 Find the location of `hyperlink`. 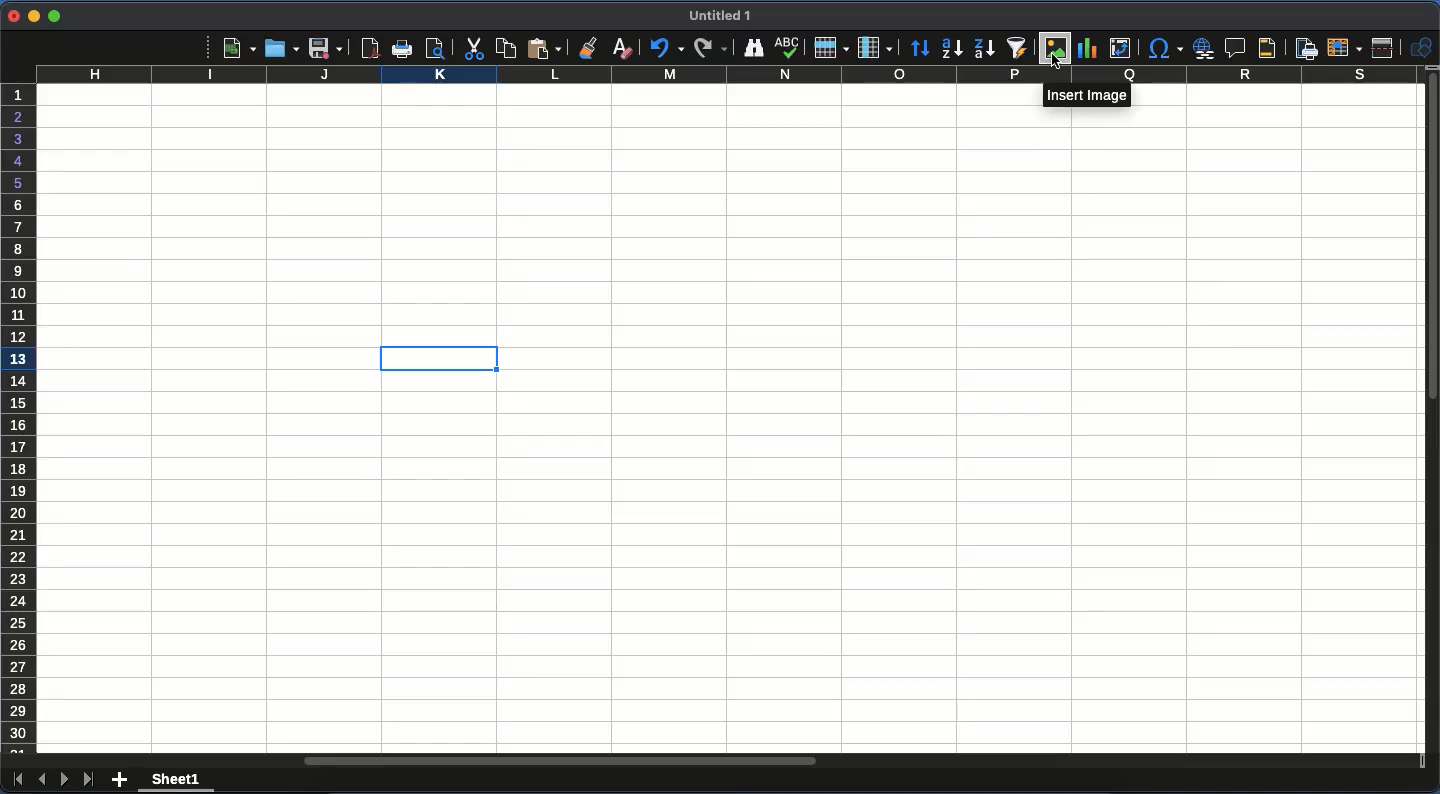

hyperlink is located at coordinates (1205, 48).